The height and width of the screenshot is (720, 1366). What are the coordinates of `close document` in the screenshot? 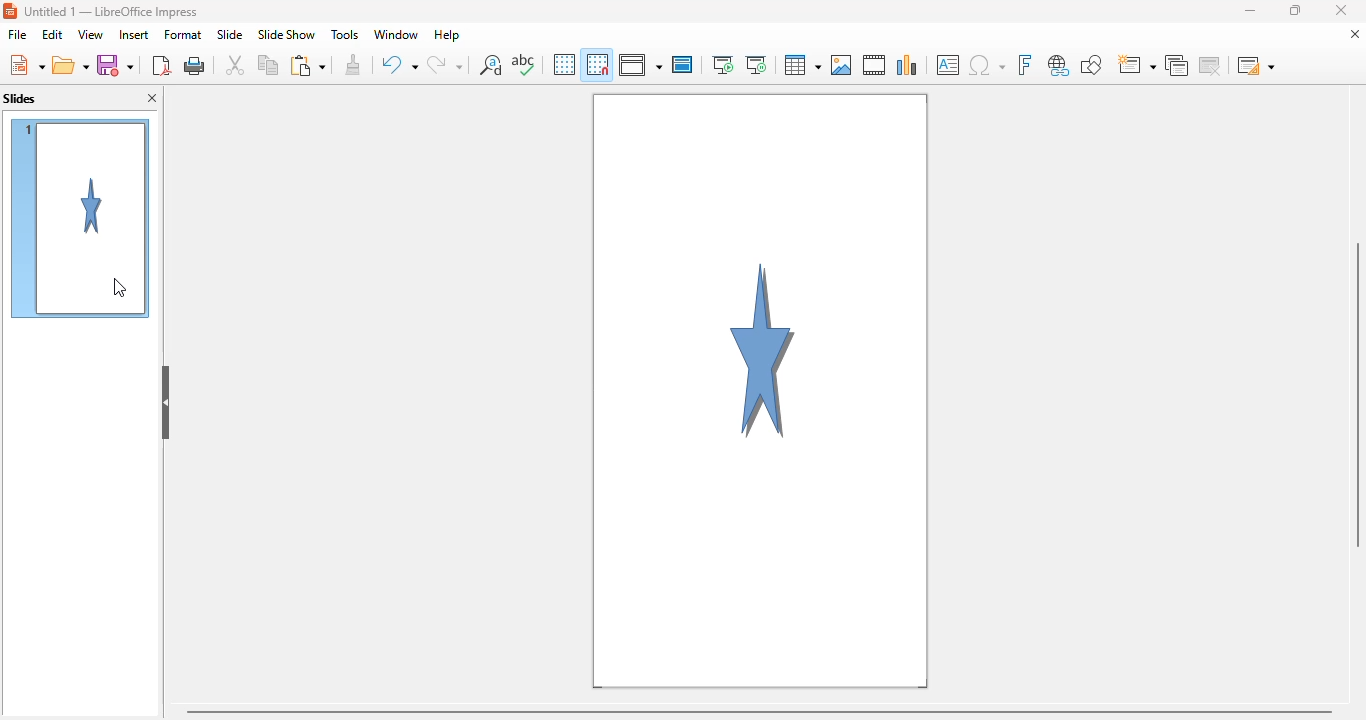 It's located at (1355, 34).